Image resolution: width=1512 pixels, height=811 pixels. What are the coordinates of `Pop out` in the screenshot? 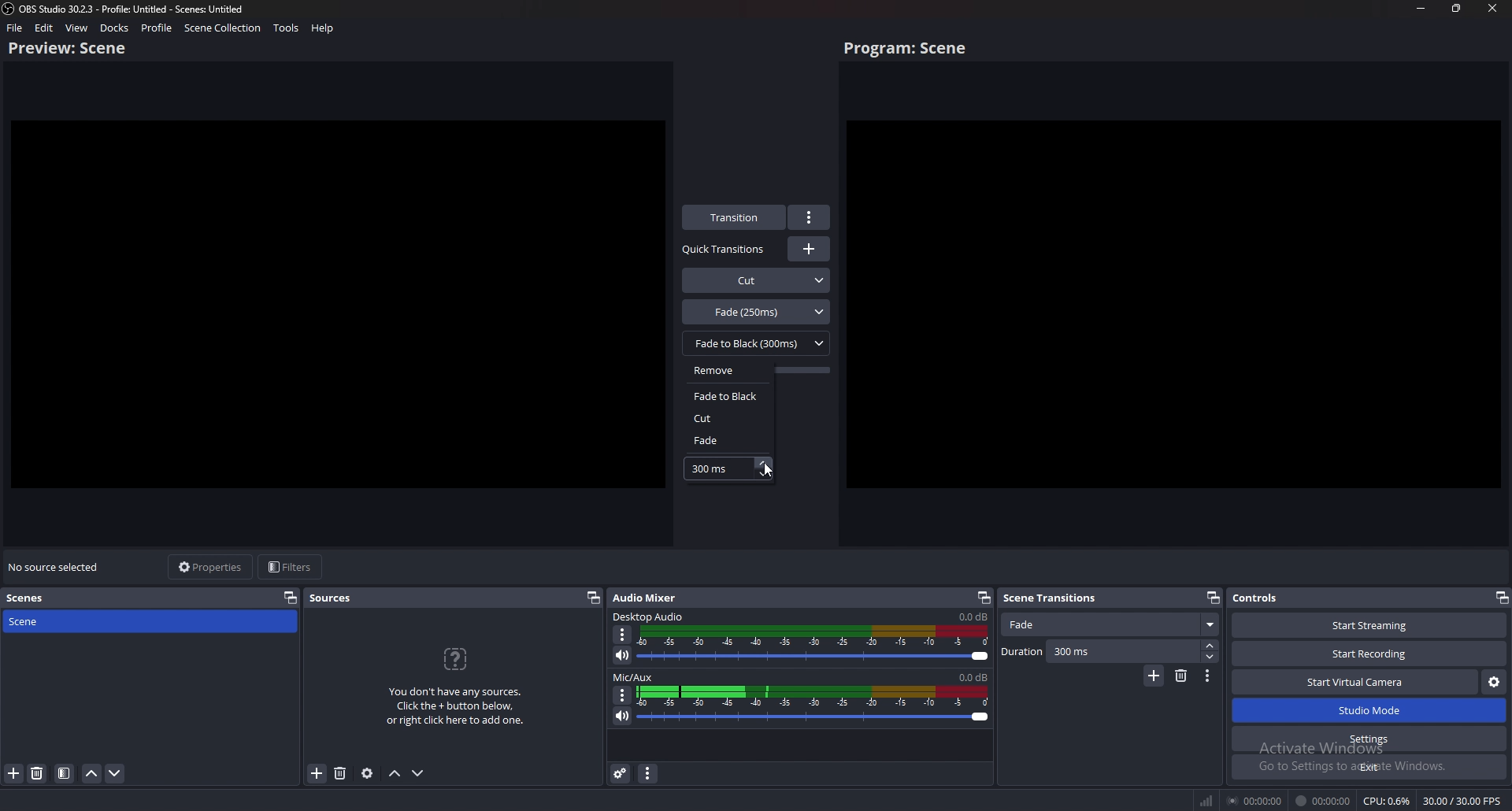 It's located at (984, 598).